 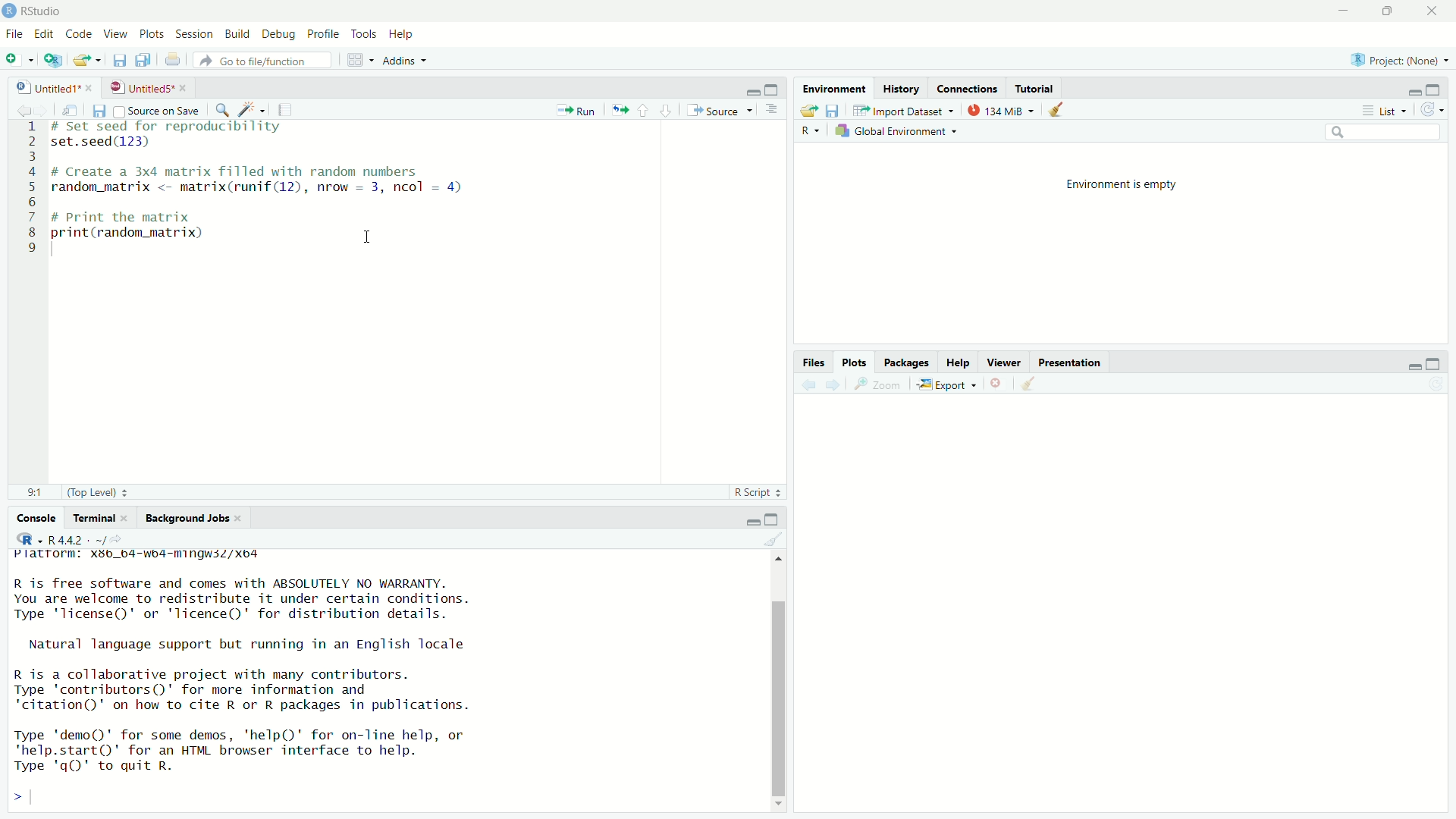 I want to click on close, so click(x=1436, y=12).